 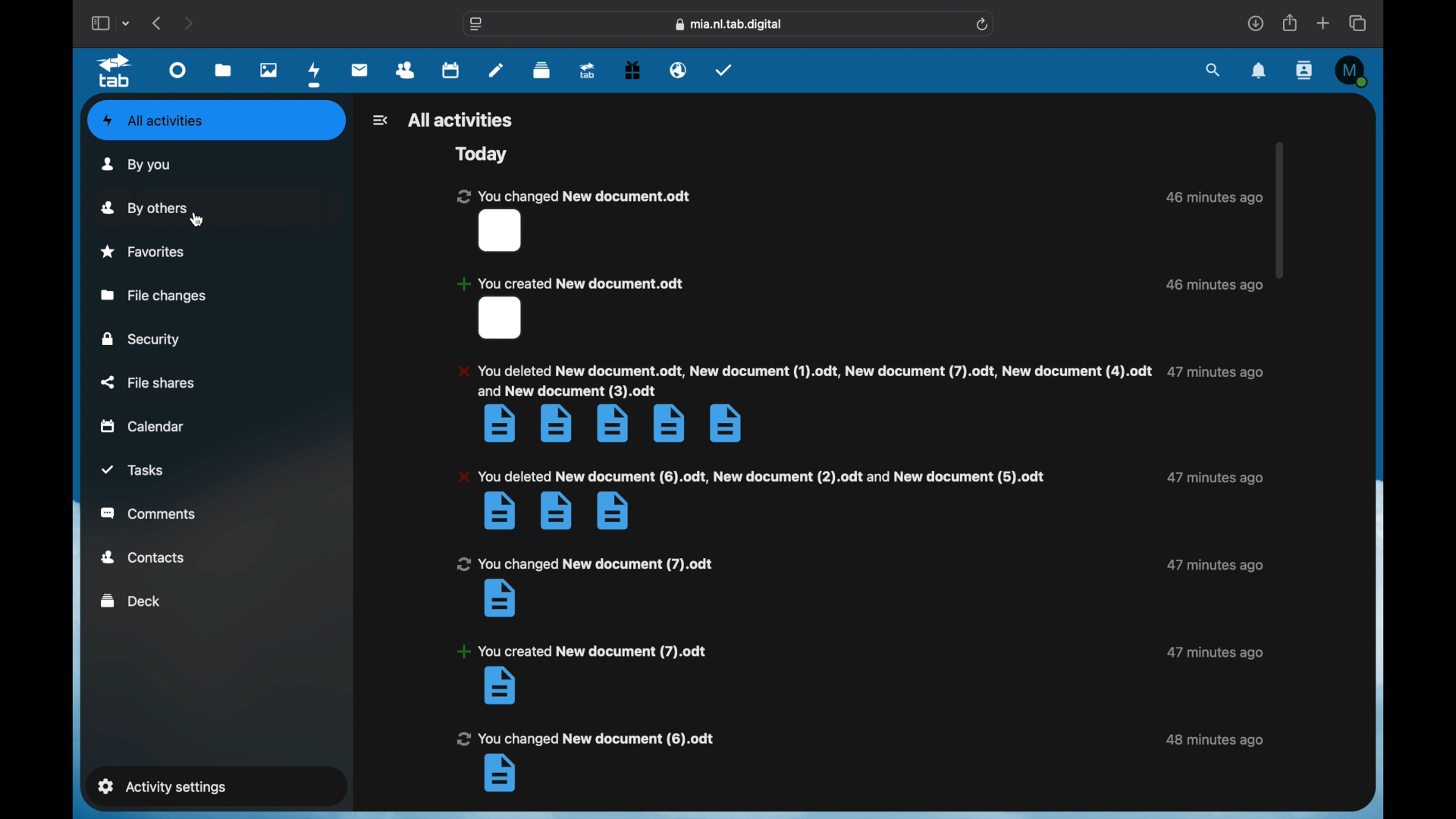 I want to click on tasks, so click(x=133, y=470).